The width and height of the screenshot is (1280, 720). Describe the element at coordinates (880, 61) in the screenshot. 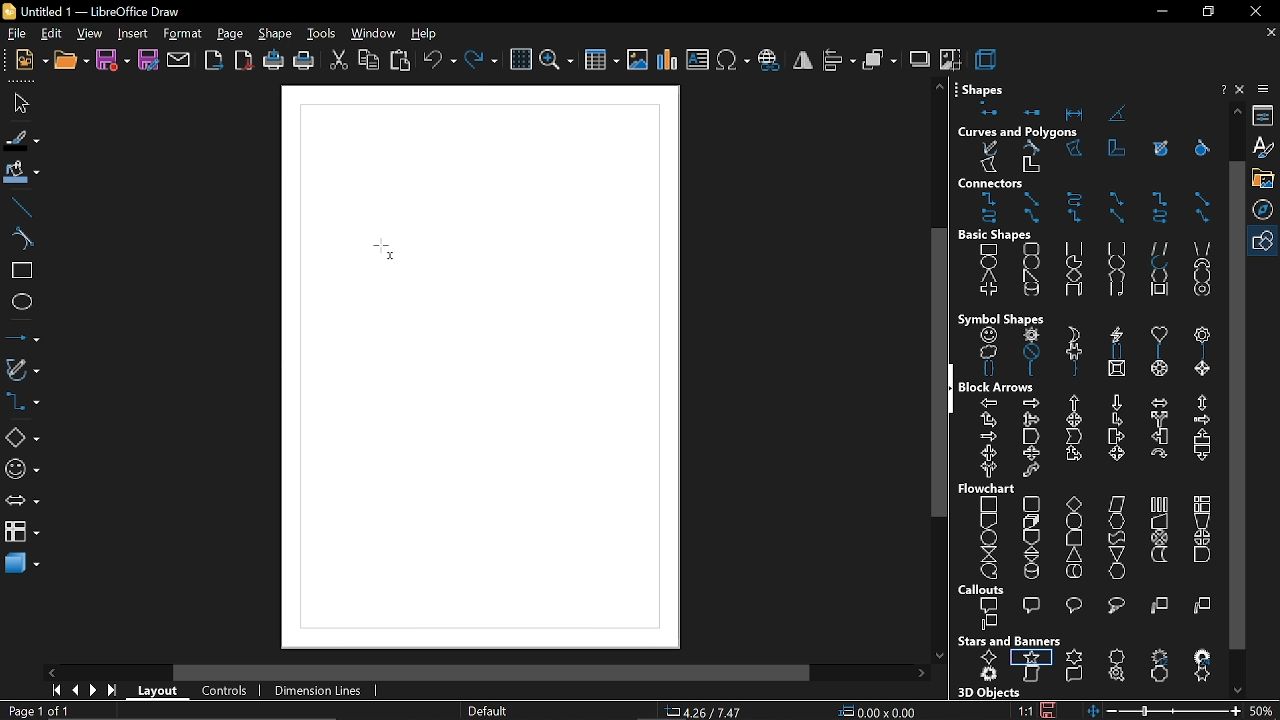

I see `arrange` at that location.